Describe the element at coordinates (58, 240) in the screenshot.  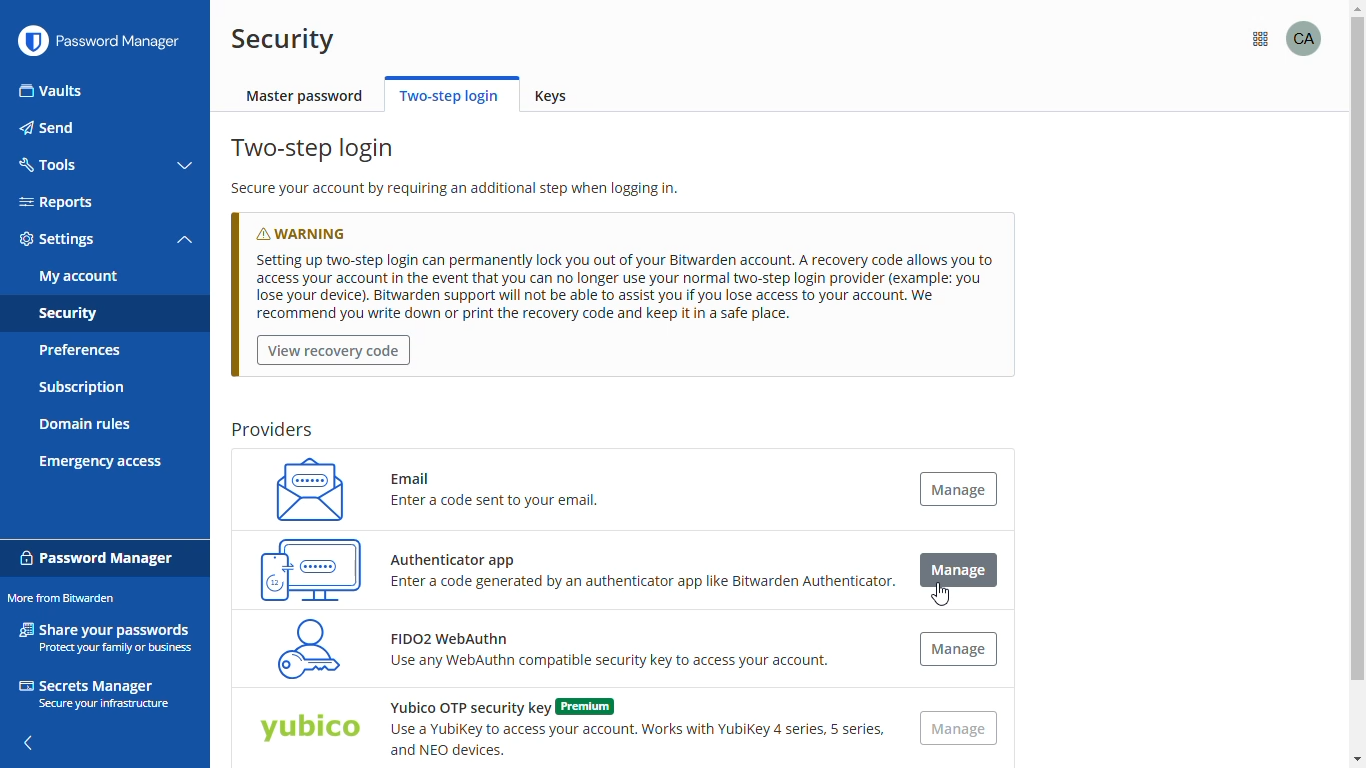
I see `settings` at that location.